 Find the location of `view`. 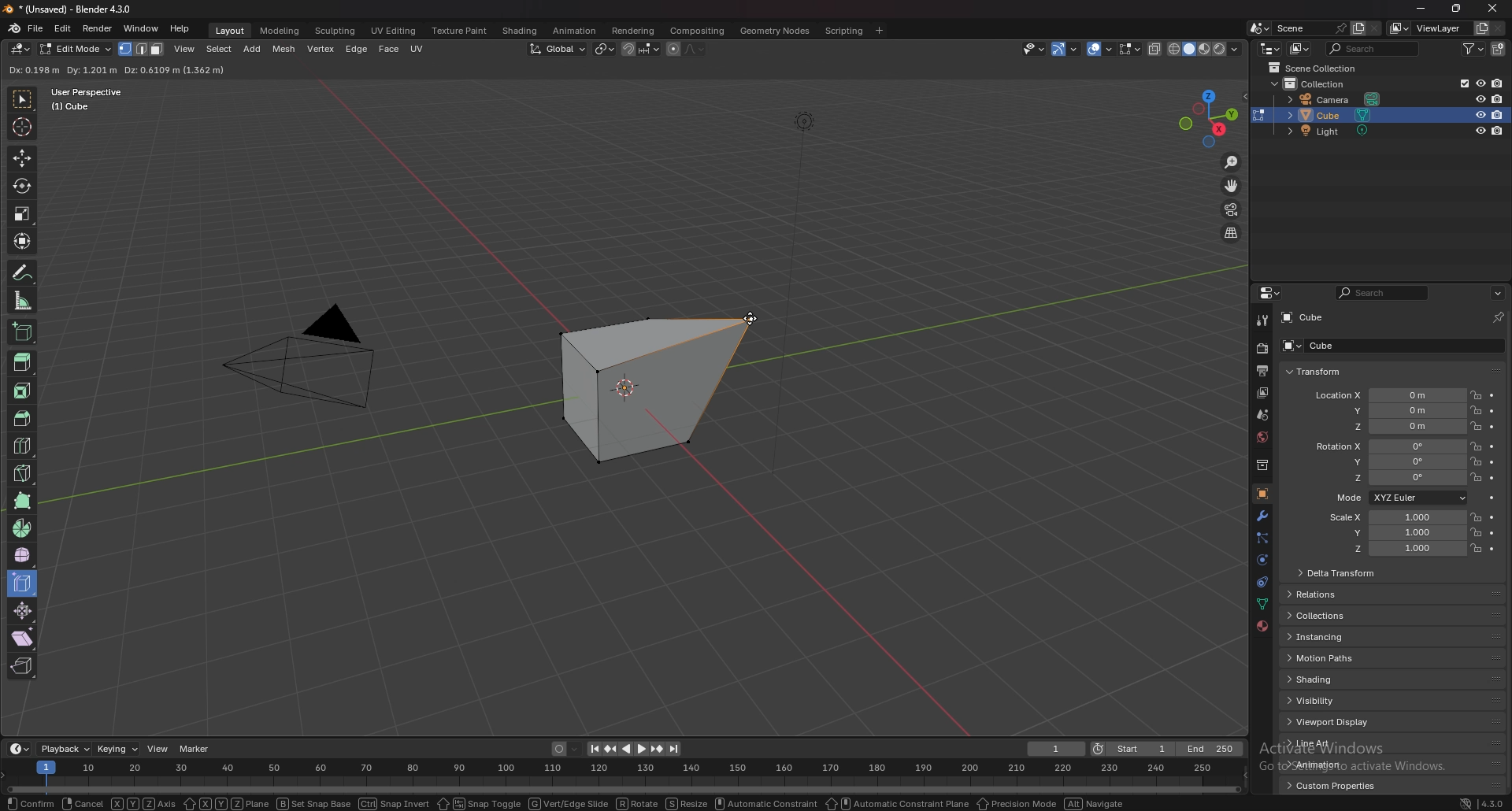

view is located at coordinates (185, 50).